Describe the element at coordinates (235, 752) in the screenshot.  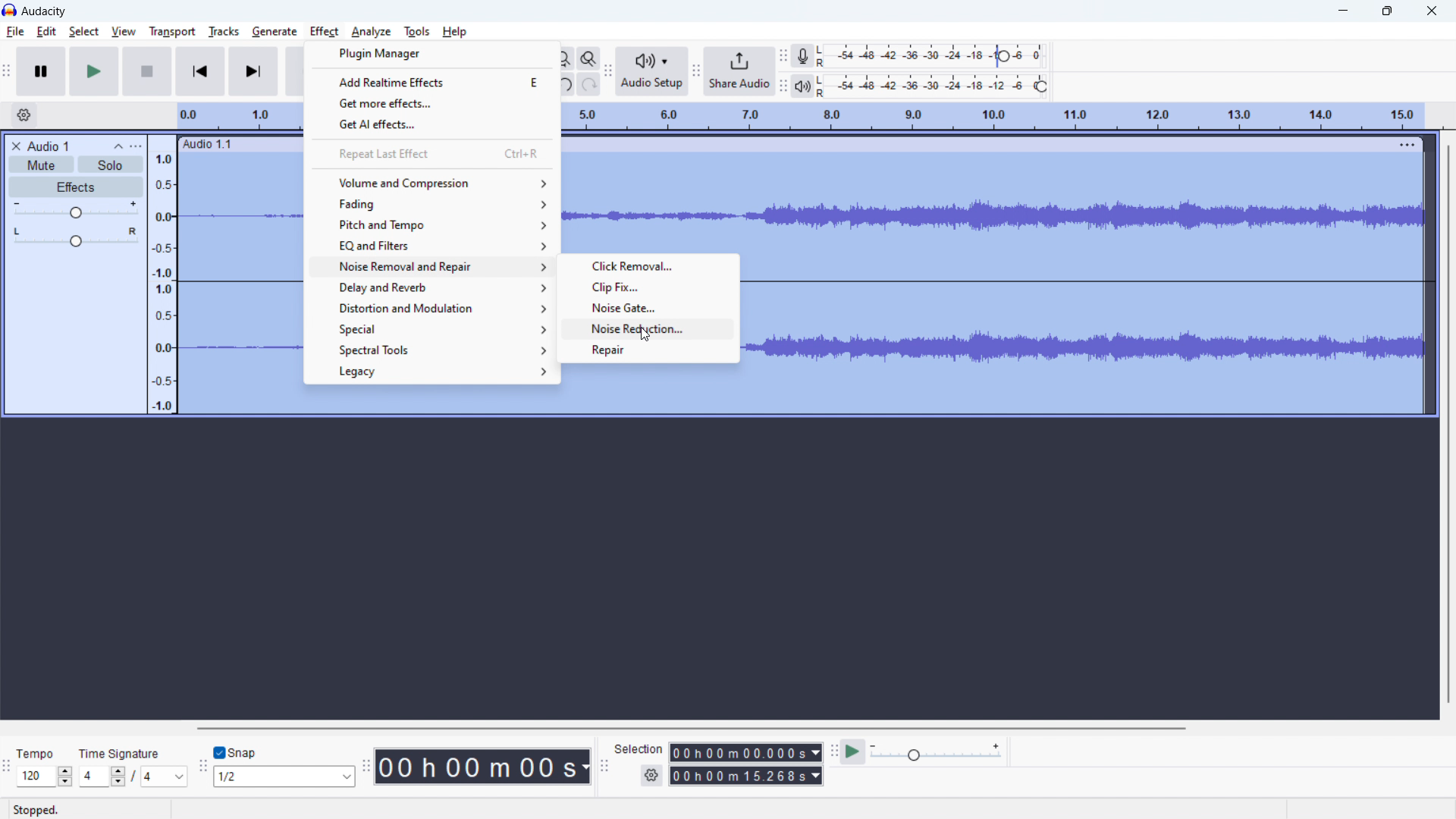
I see `toggle snap` at that location.